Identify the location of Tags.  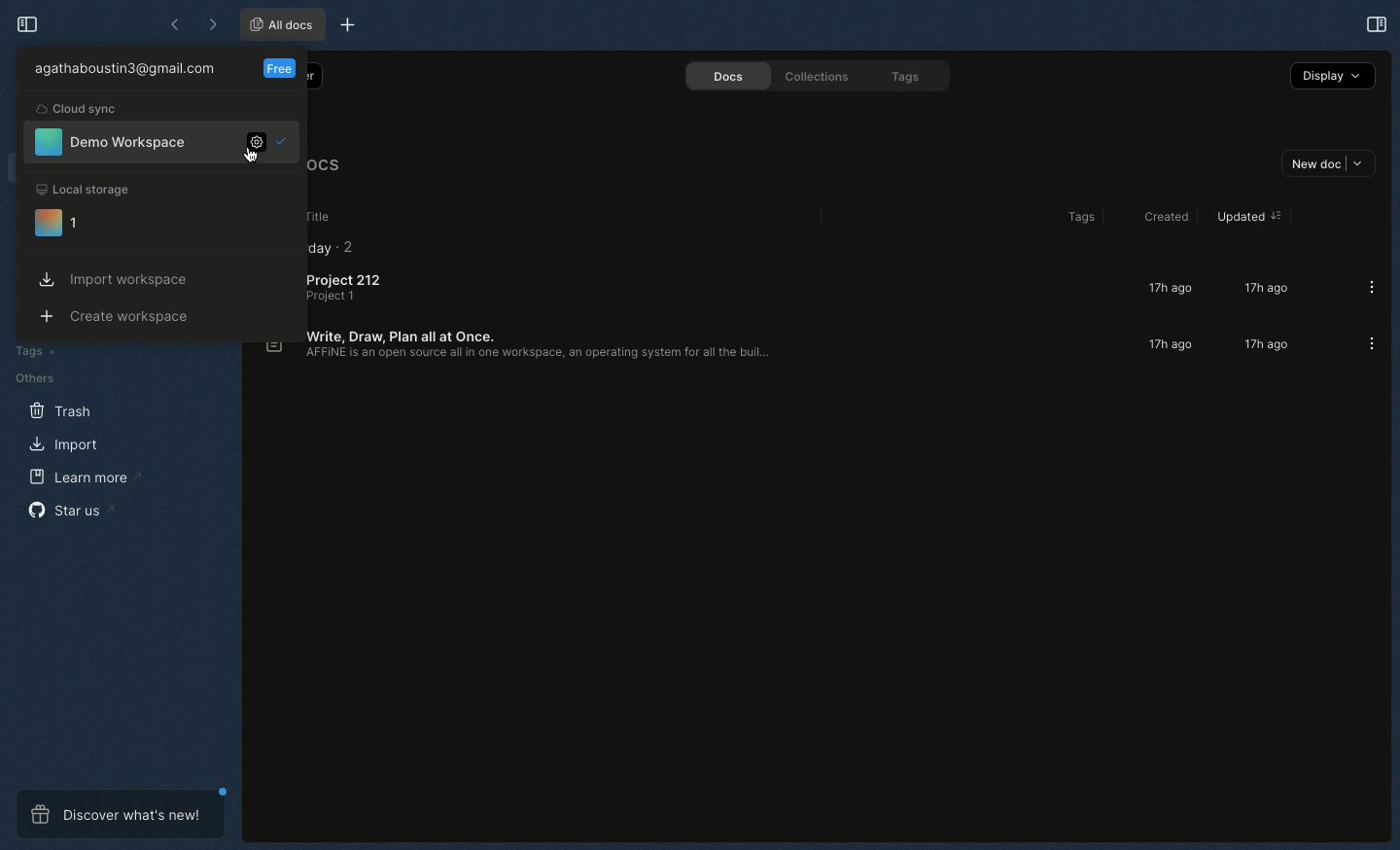
(1070, 218).